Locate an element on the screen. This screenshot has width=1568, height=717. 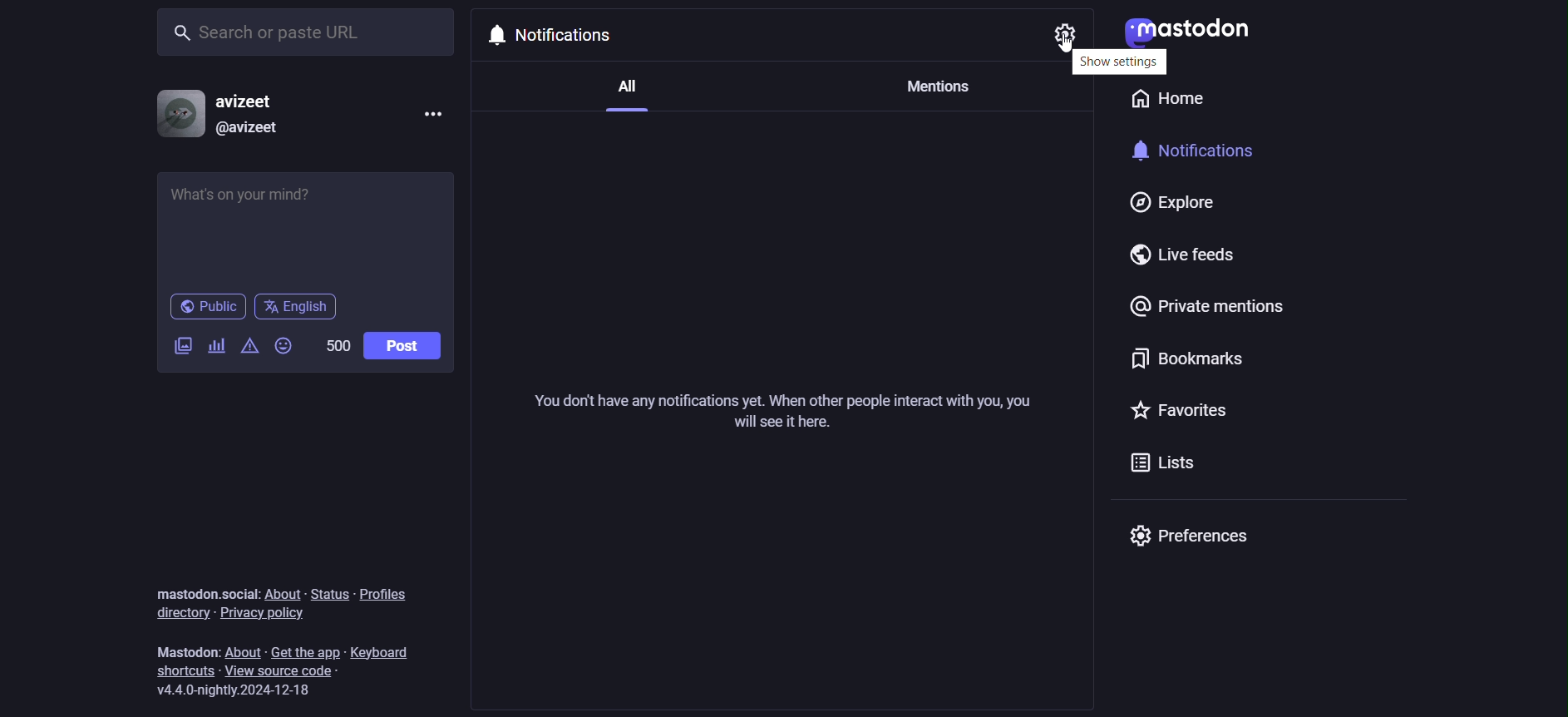
privacy policy is located at coordinates (266, 614).